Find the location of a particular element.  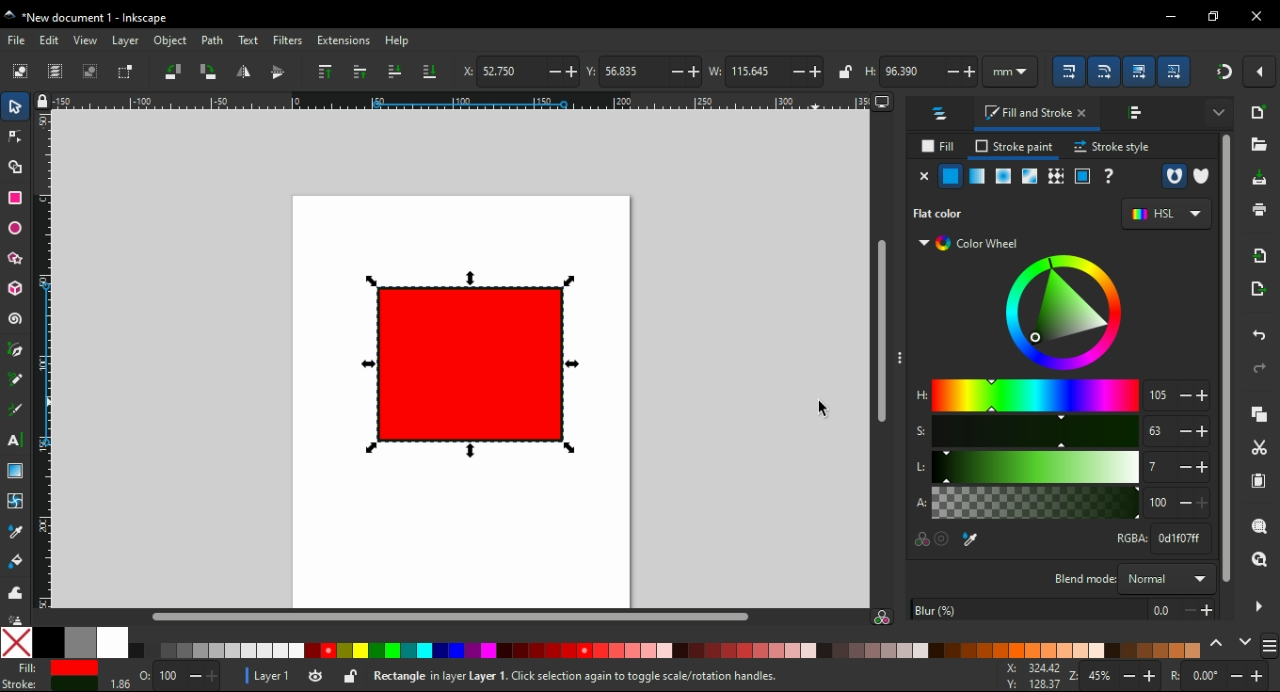

no objects selected is located at coordinates (641, 677).